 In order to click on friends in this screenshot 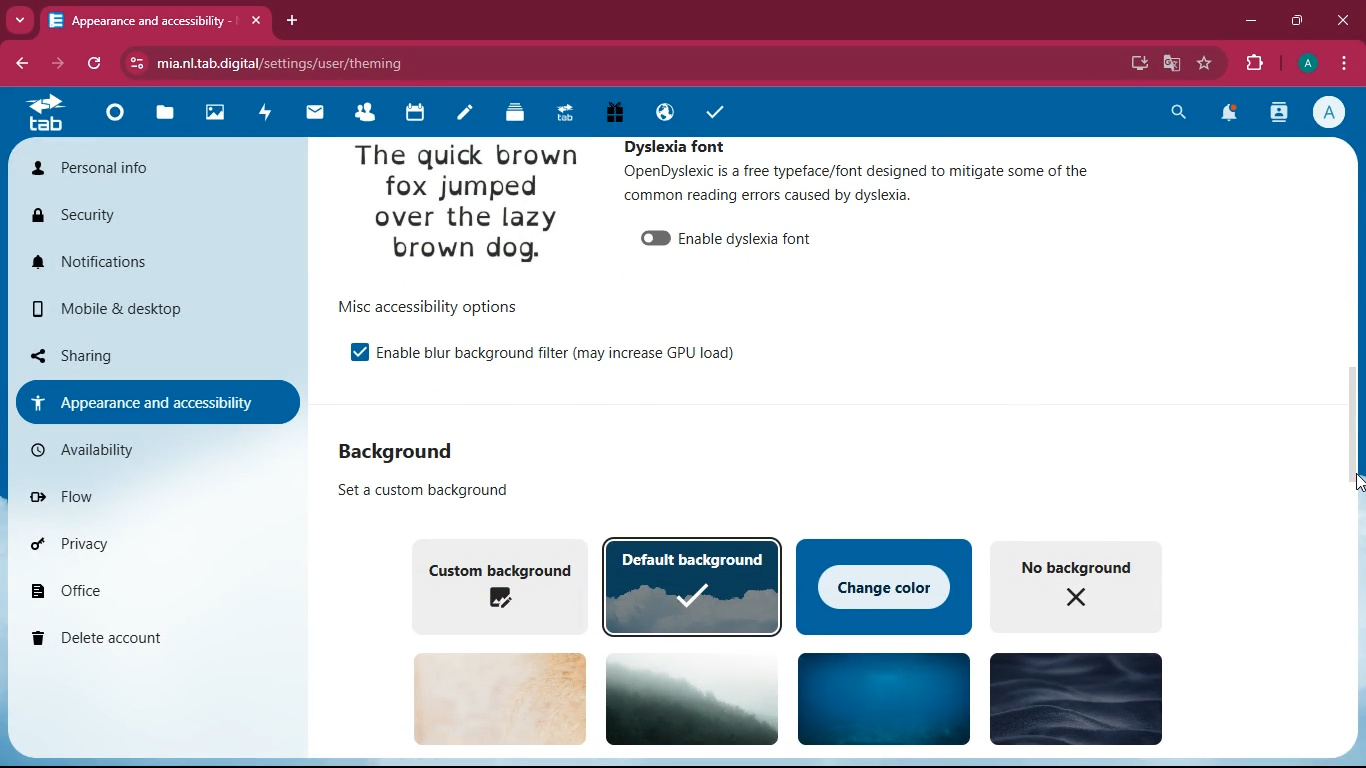, I will do `click(361, 112)`.